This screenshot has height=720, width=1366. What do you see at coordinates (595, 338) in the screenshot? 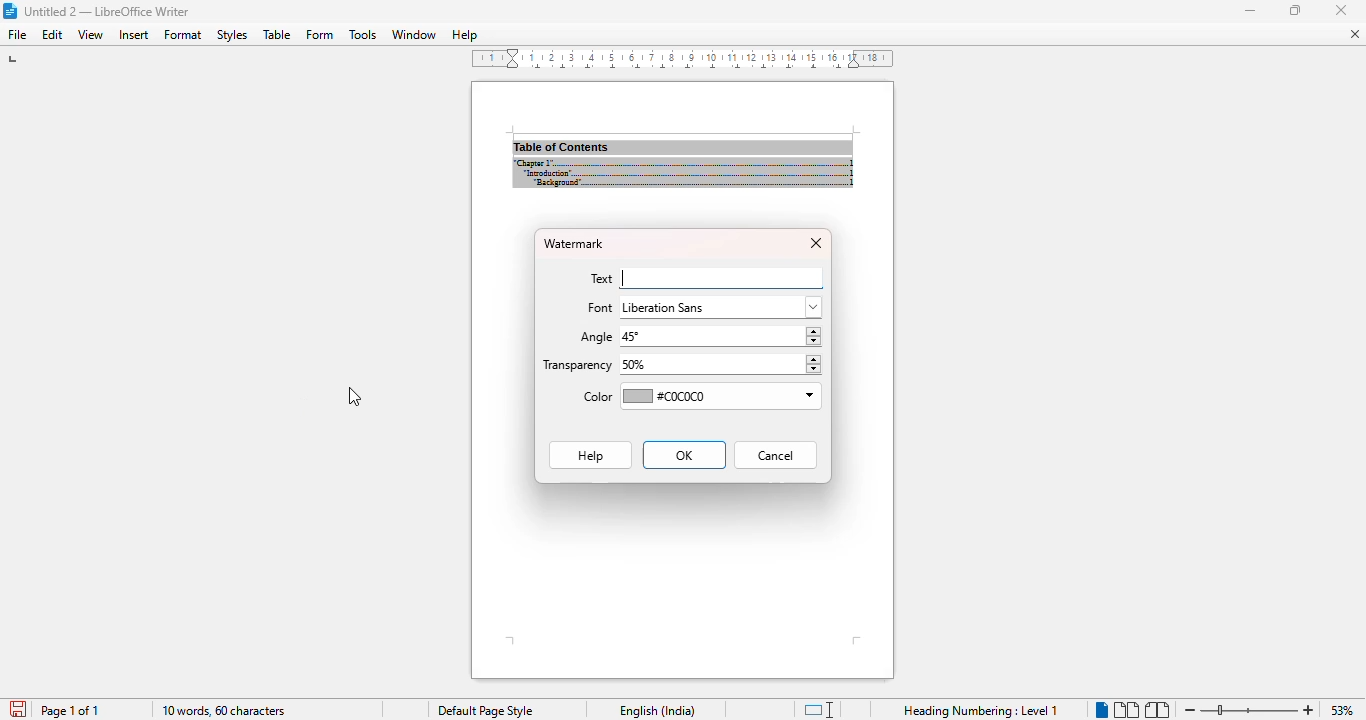
I see `angle` at bounding box center [595, 338].